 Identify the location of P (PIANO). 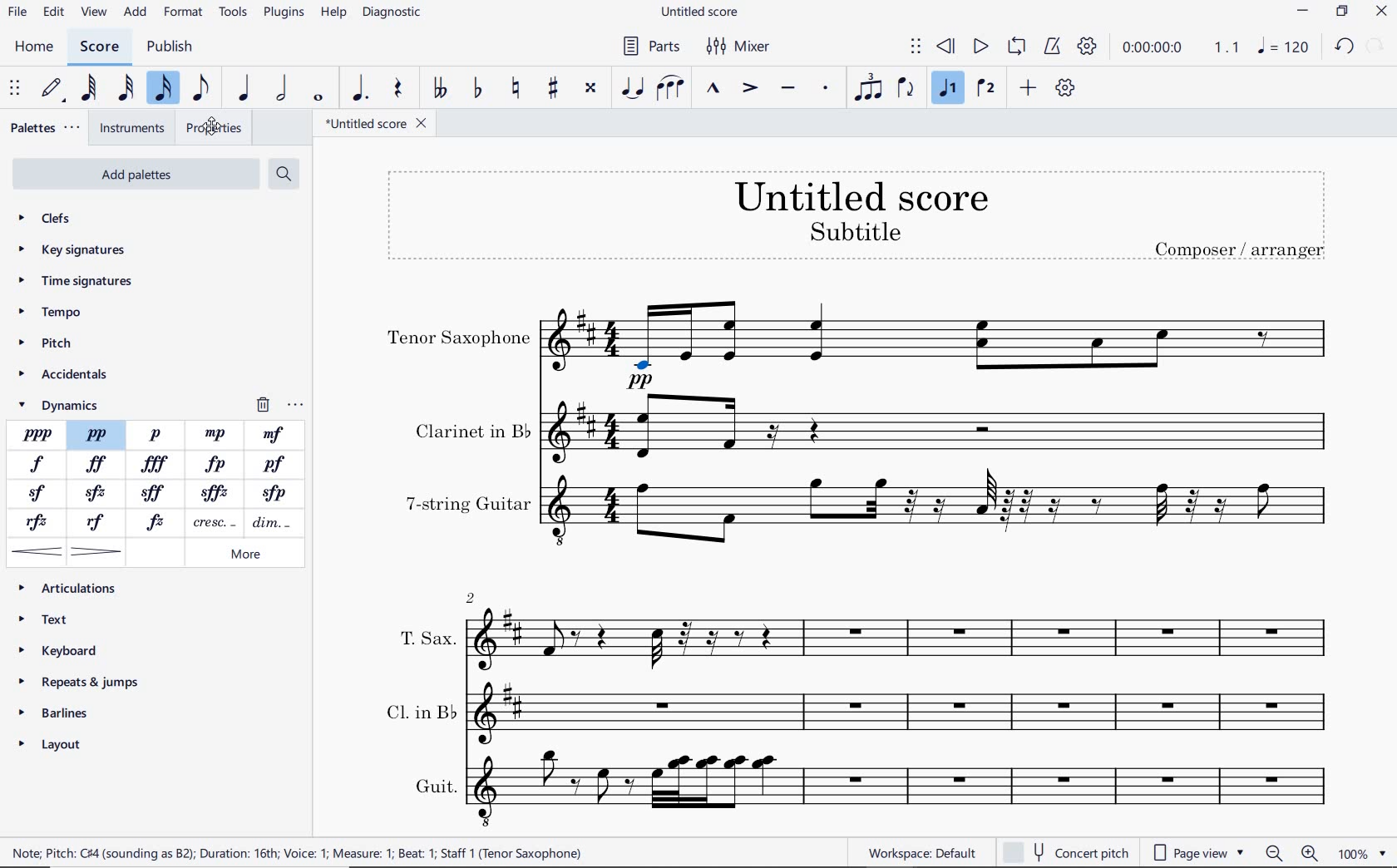
(156, 435).